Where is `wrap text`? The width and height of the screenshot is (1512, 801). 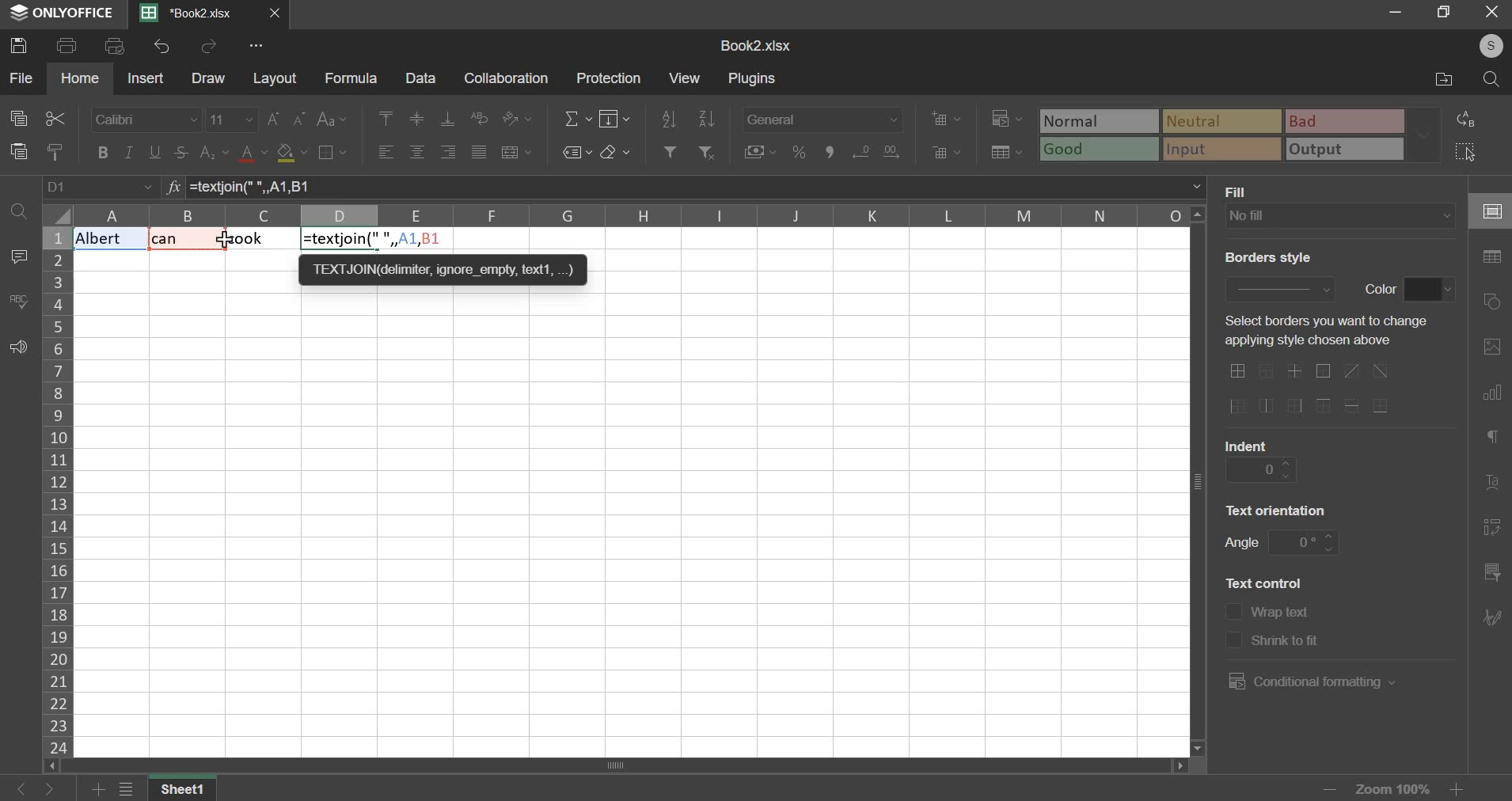 wrap text is located at coordinates (481, 116).